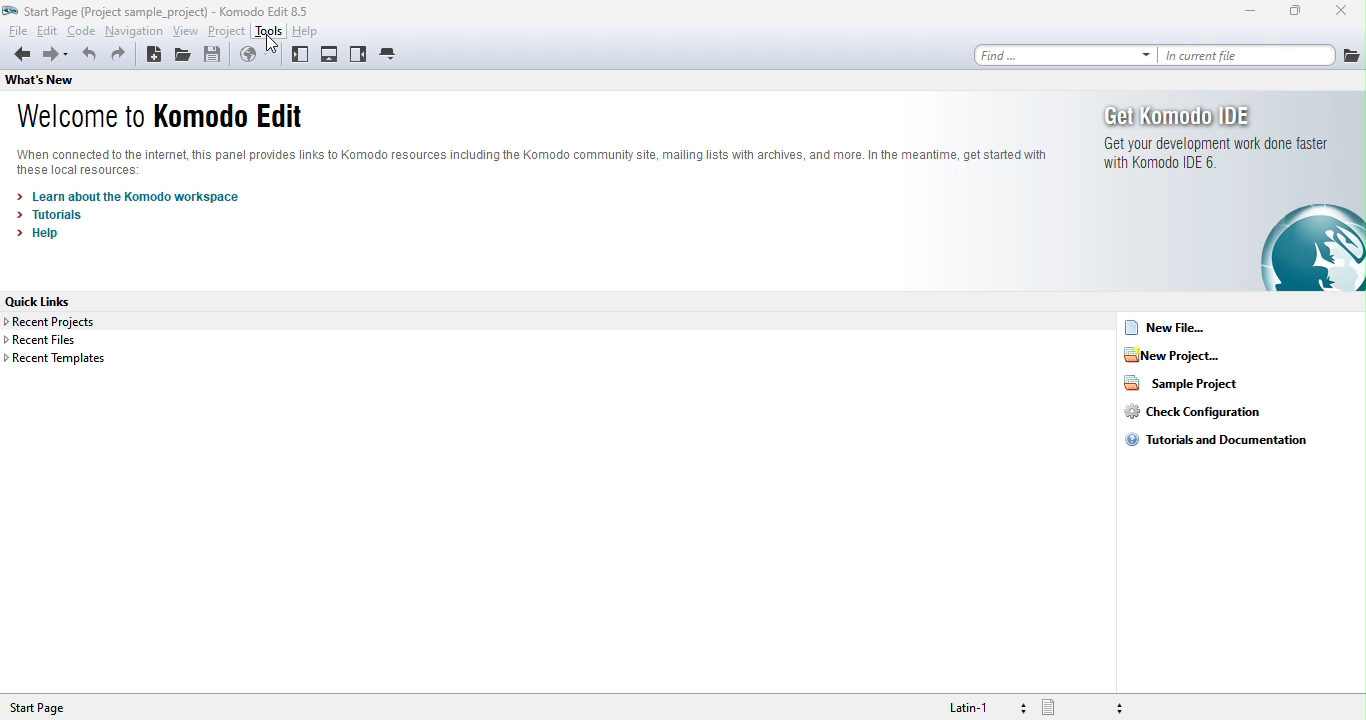  Describe the element at coordinates (48, 31) in the screenshot. I see `edit` at that location.